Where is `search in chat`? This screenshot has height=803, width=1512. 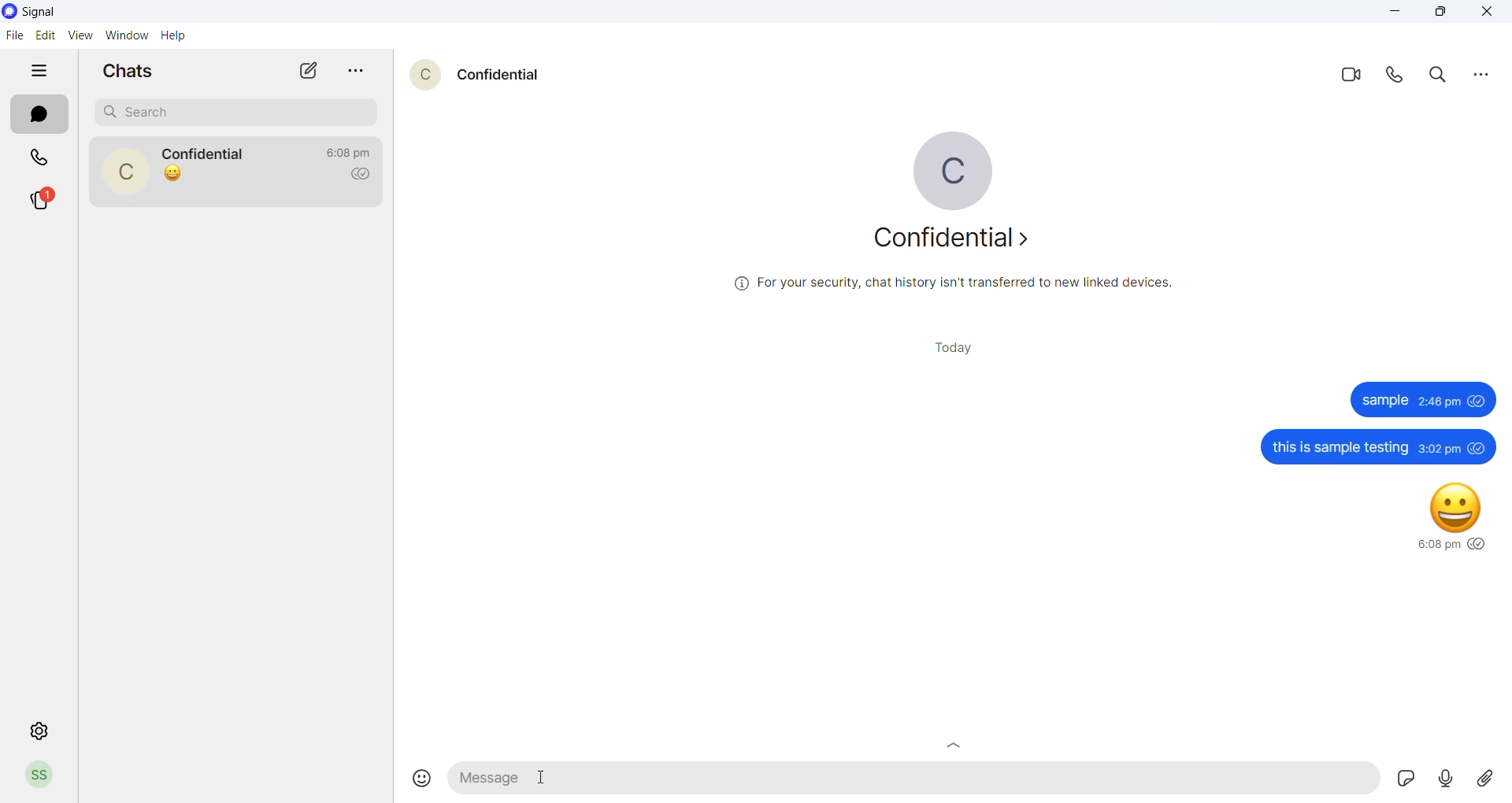
search in chat is located at coordinates (1442, 77).